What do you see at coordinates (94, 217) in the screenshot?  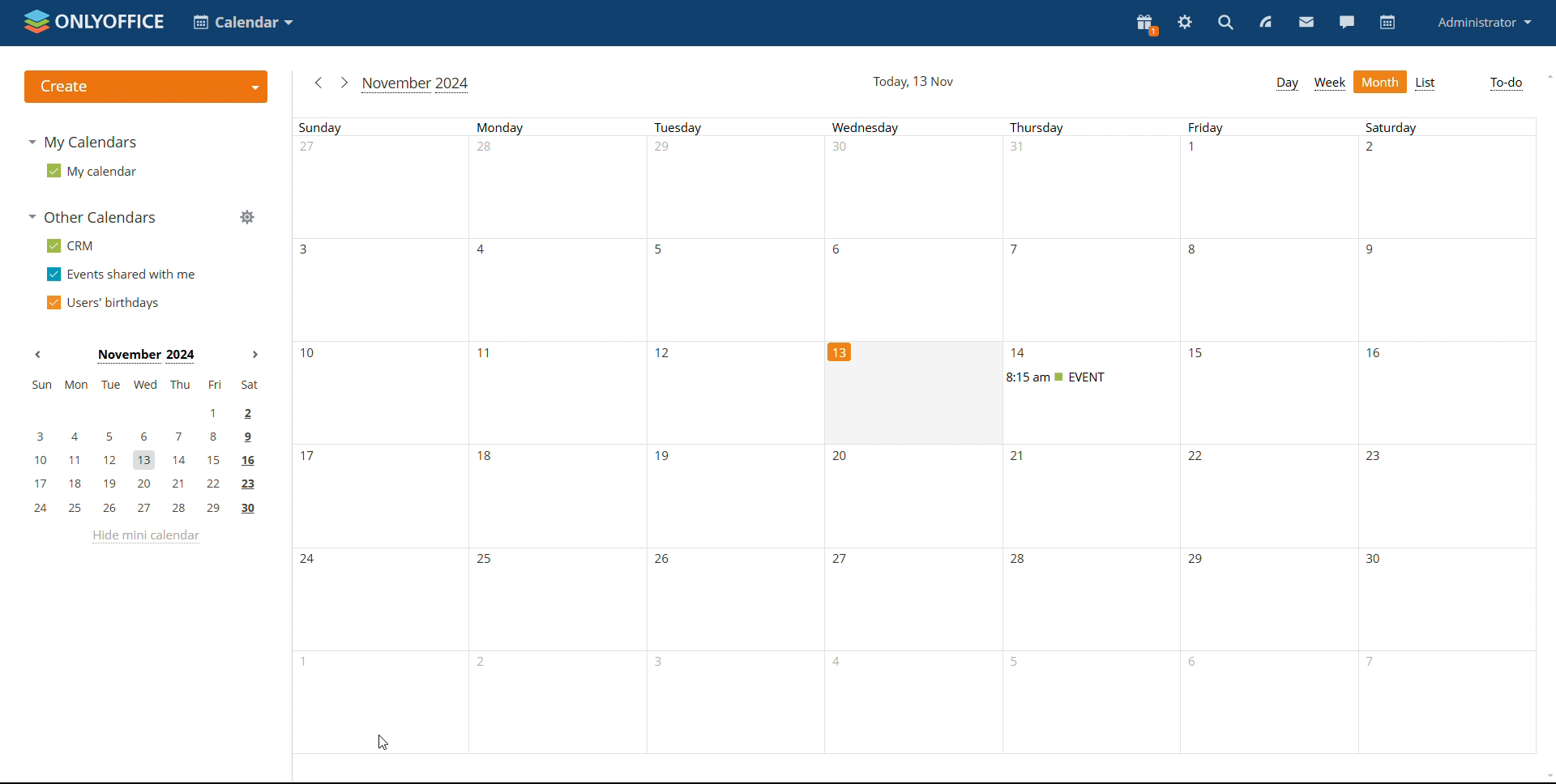 I see `other calendars` at bounding box center [94, 217].